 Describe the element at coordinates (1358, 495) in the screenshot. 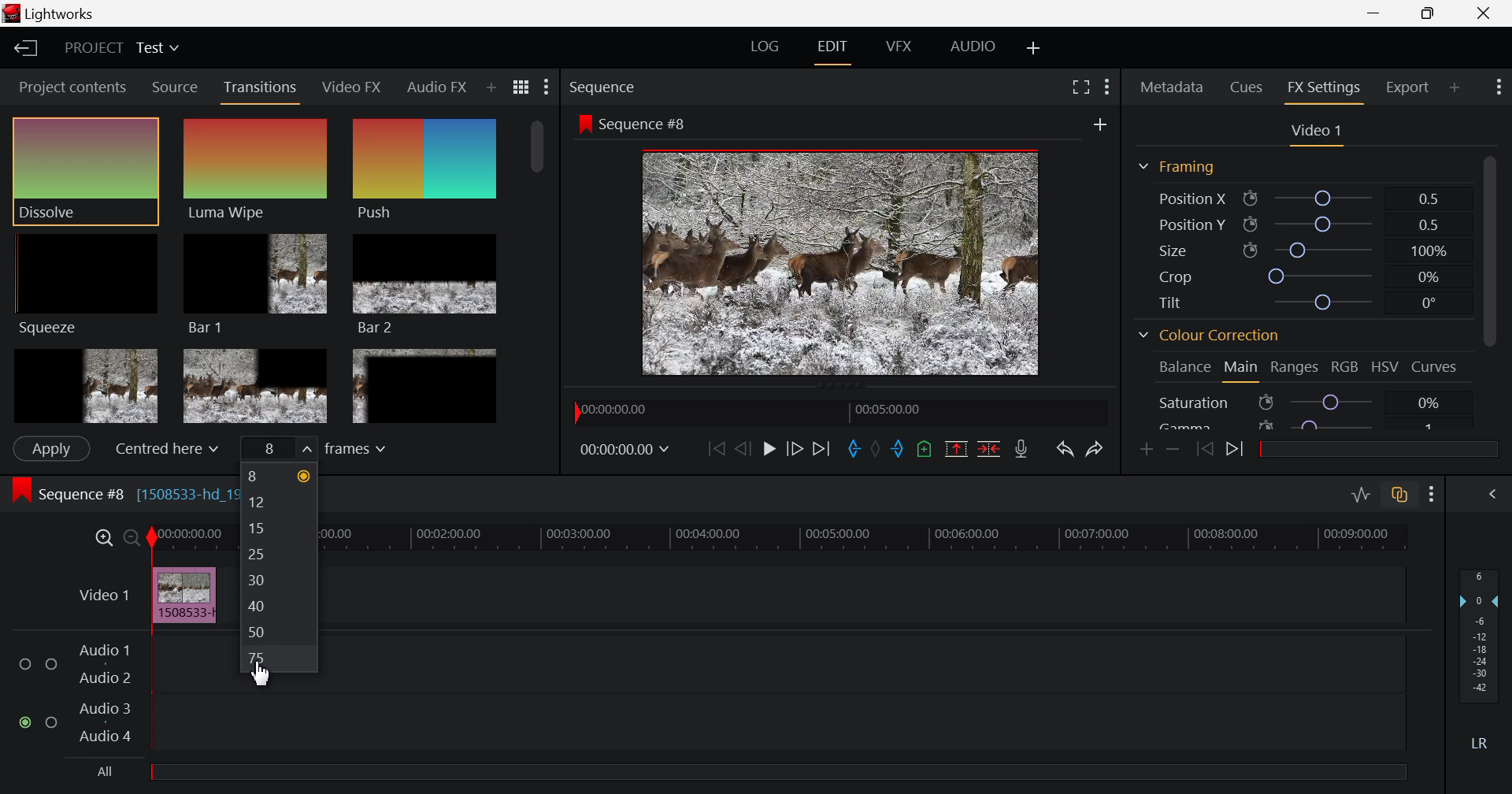

I see `Toggle Audio Levels Editing` at that location.